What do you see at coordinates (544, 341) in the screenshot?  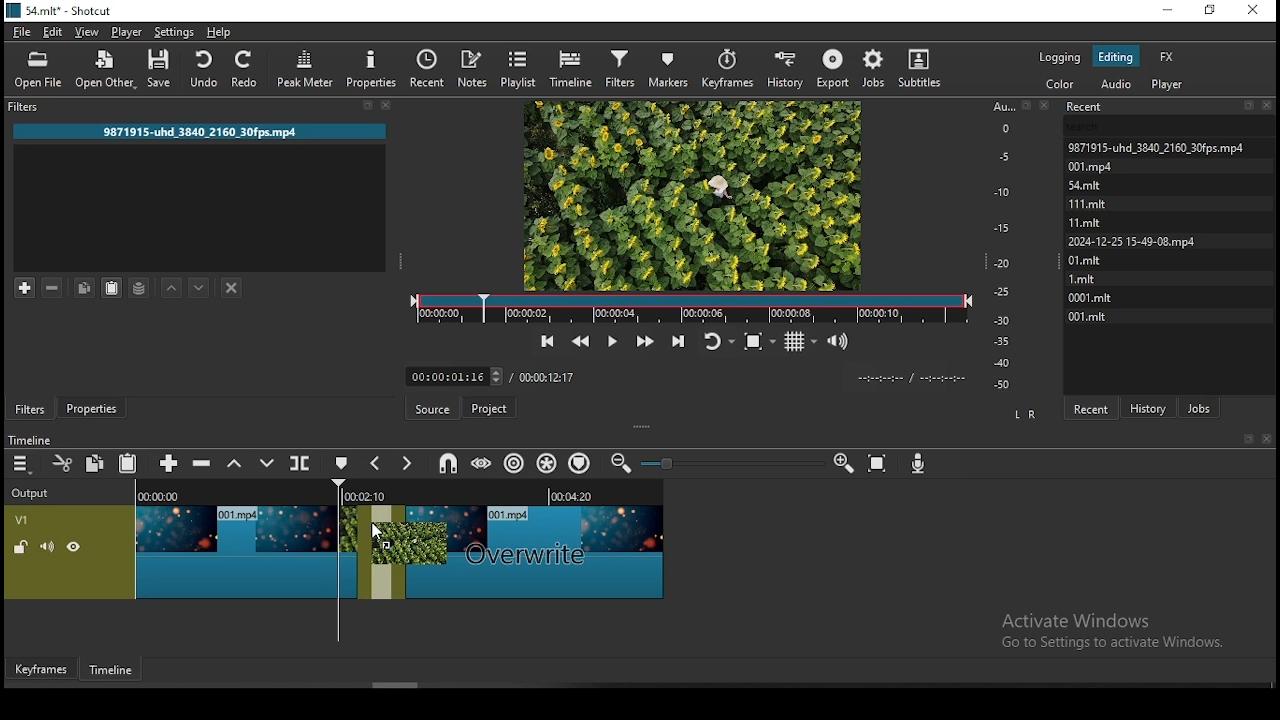 I see `skip to the previous point` at bounding box center [544, 341].